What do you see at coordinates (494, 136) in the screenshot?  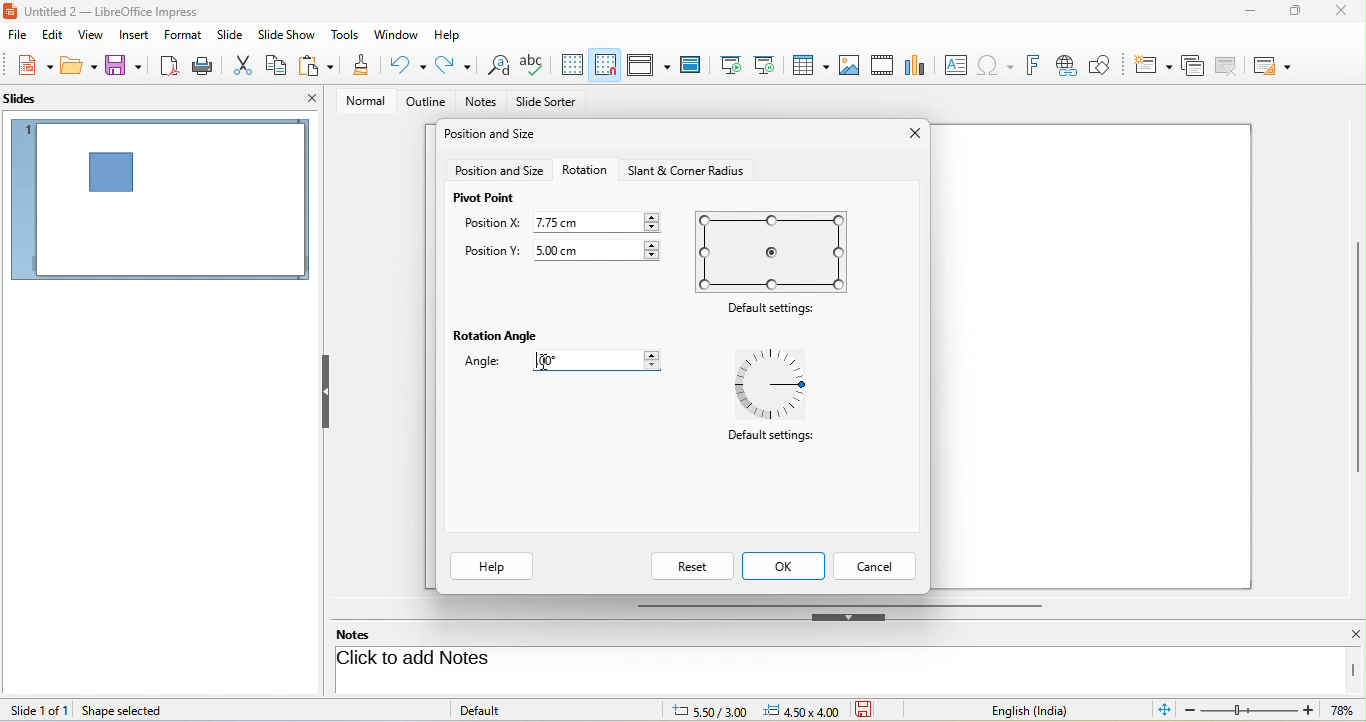 I see `position and size` at bounding box center [494, 136].